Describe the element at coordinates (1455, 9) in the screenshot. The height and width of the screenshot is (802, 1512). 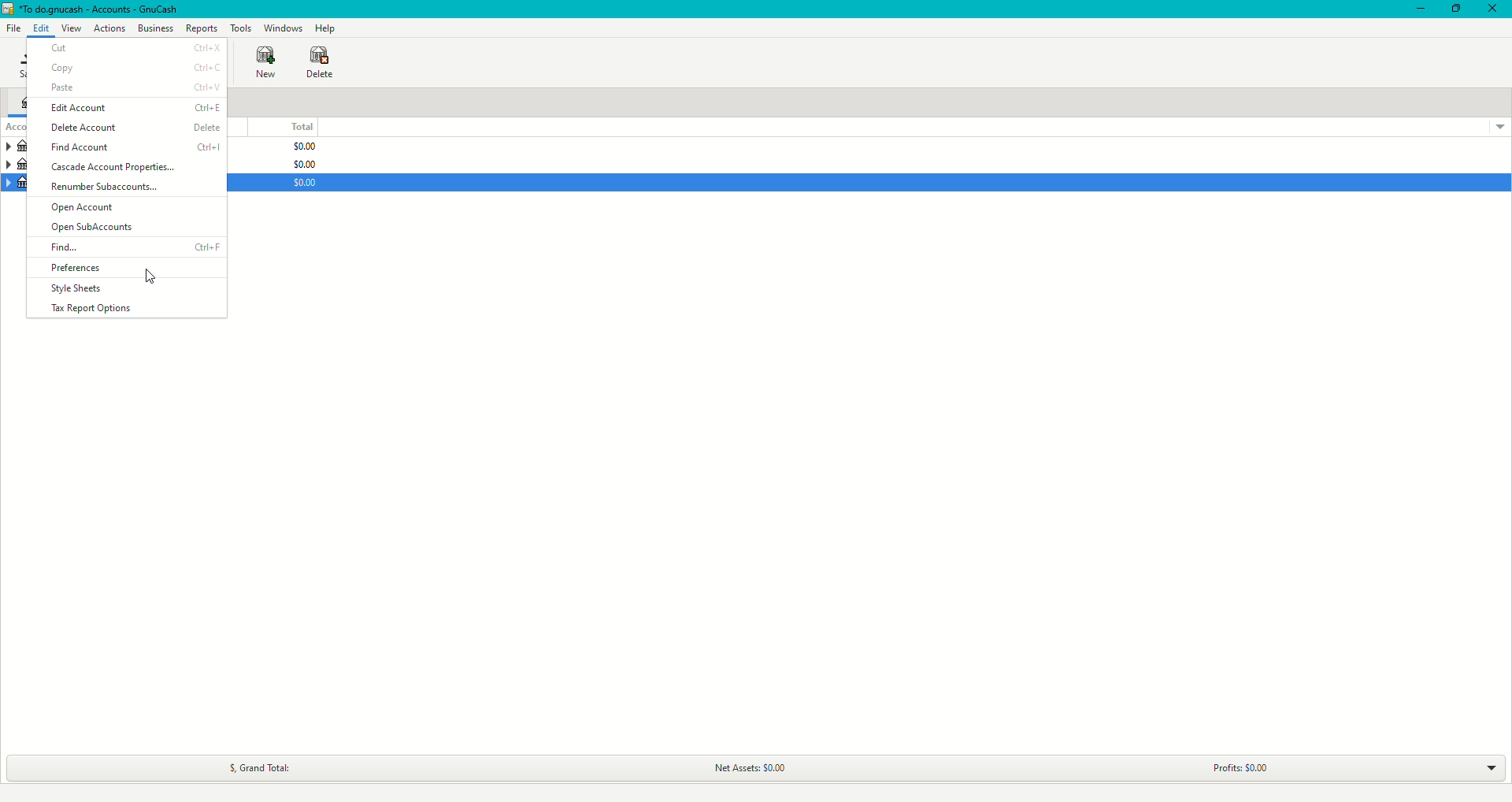
I see `Restore` at that location.